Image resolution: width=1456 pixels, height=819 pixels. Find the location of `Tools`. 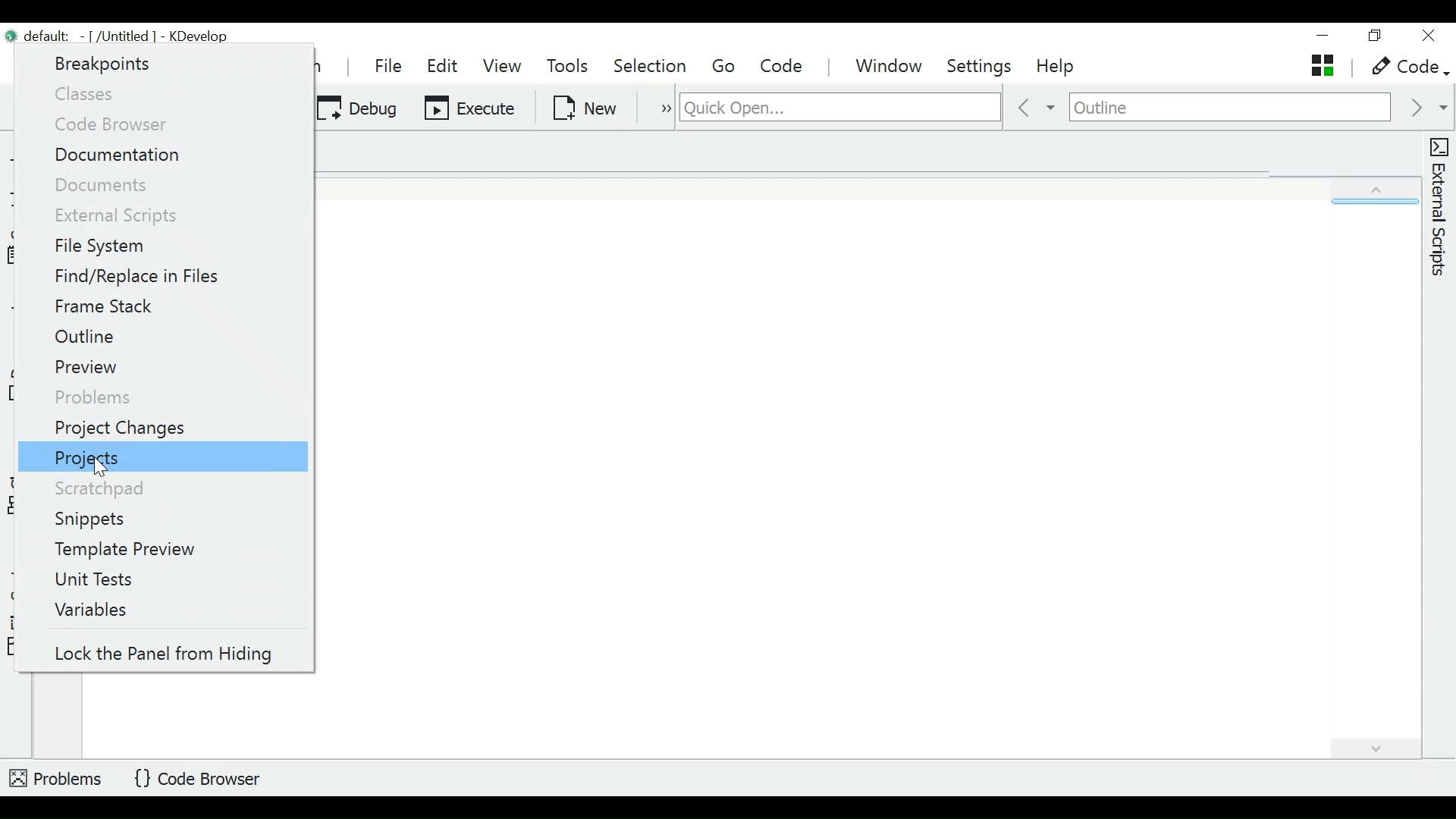

Tools is located at coordinates (566, 67).